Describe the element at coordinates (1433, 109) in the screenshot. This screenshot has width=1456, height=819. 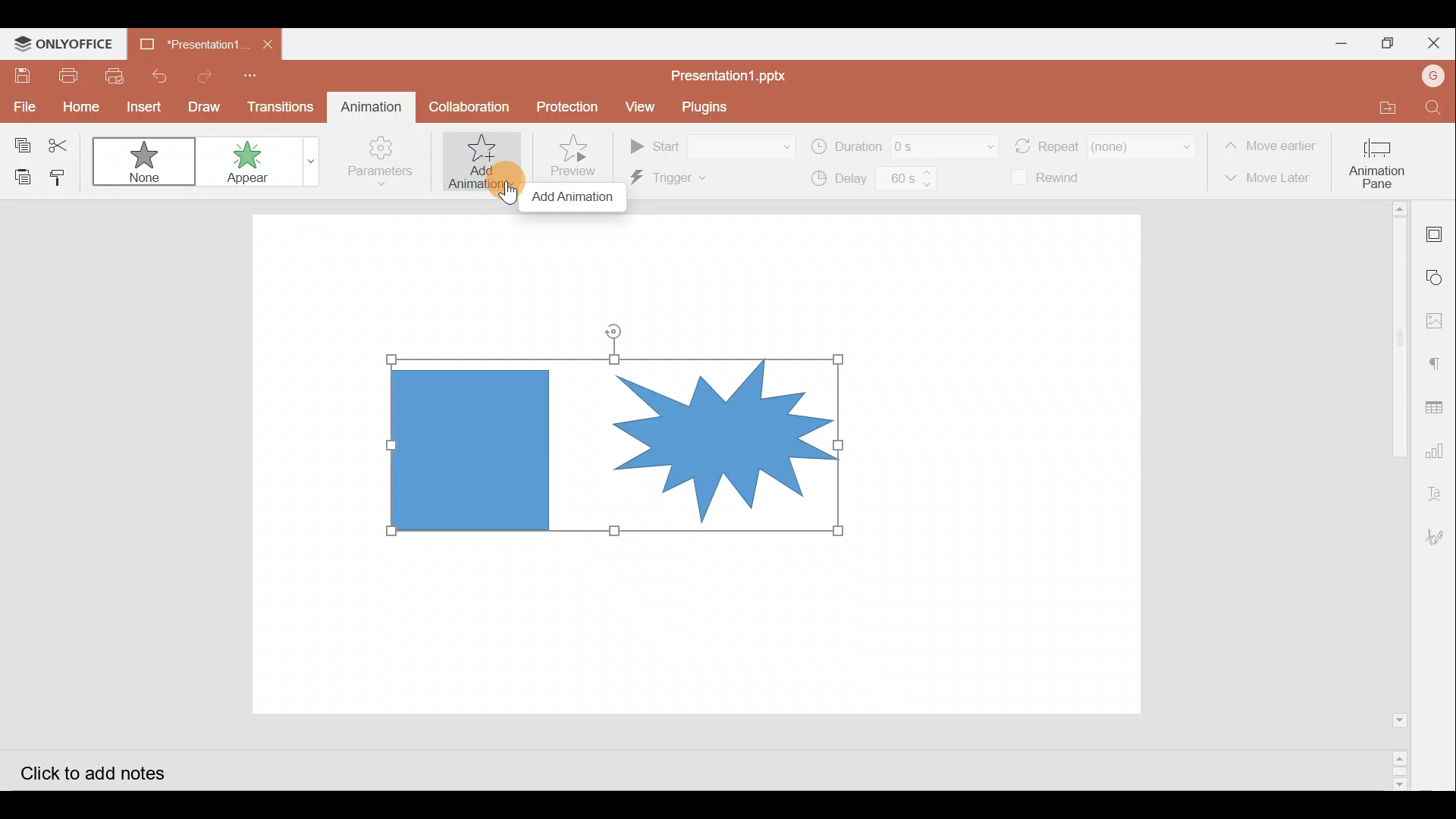
I see `Find` at that location.